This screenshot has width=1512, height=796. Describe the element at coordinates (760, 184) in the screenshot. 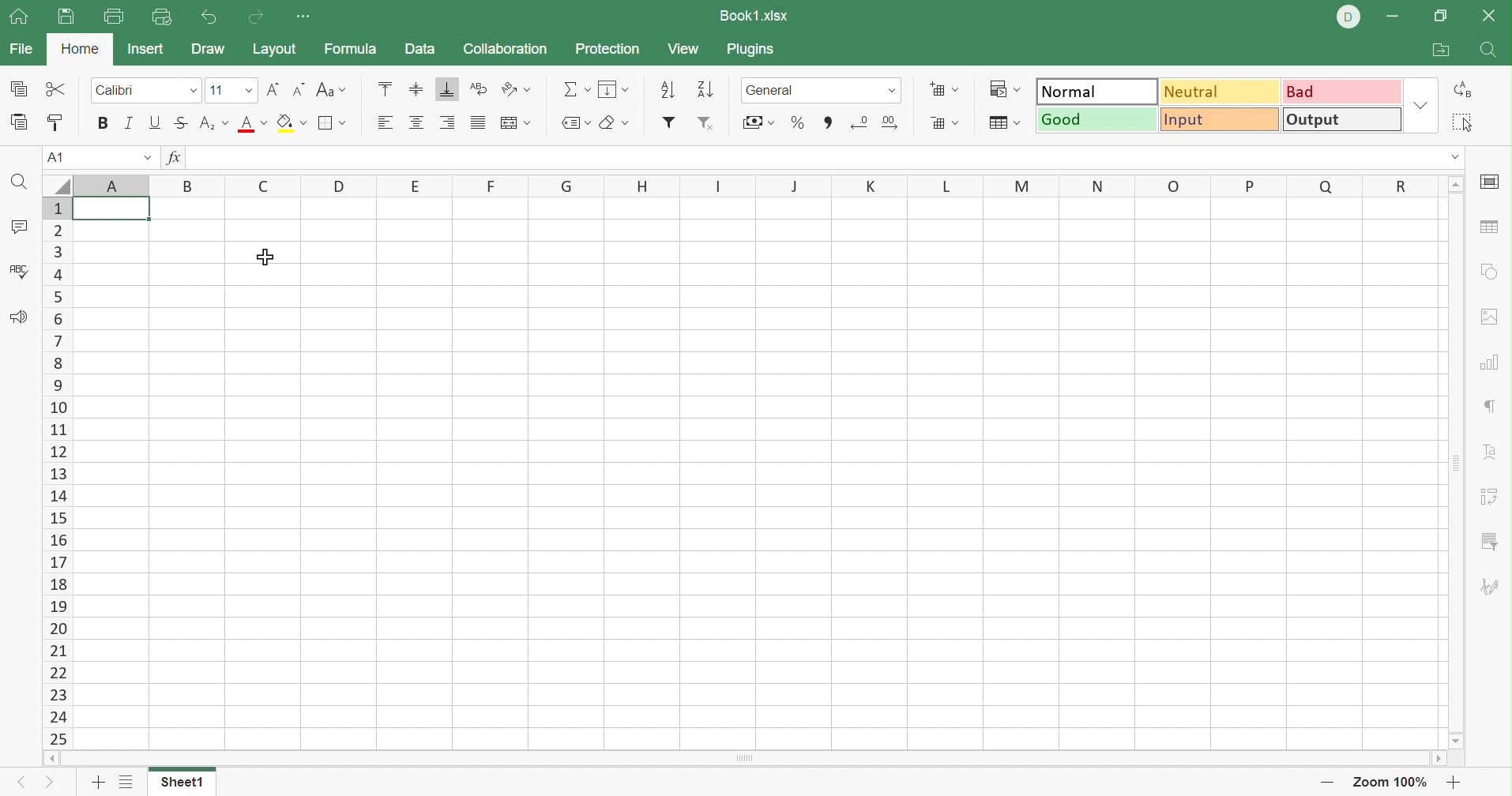

I see `Column names` at that location.